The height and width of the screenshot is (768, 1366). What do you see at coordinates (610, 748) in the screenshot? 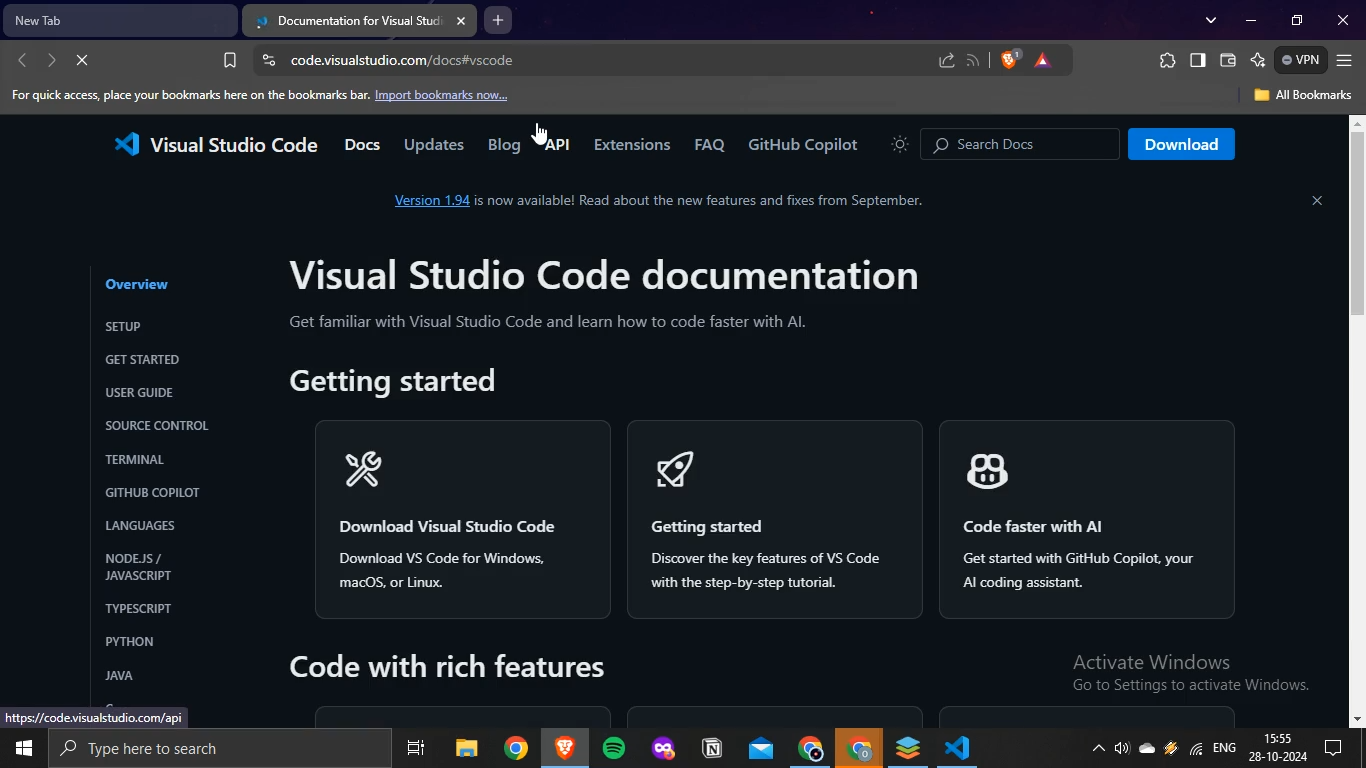
I see `spotify` at bounding box center [610, 748].